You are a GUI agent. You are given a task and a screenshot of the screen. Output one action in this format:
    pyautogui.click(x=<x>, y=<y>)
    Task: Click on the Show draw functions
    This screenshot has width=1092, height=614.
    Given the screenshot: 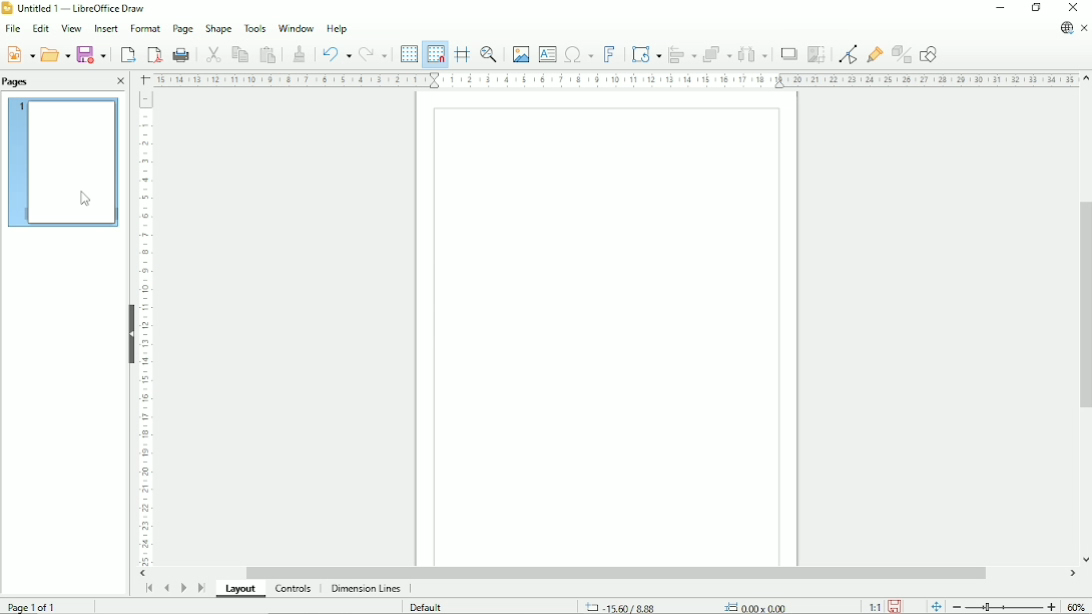 What is the action you would take?
    pyautogui.click(x=928, y=54)
    